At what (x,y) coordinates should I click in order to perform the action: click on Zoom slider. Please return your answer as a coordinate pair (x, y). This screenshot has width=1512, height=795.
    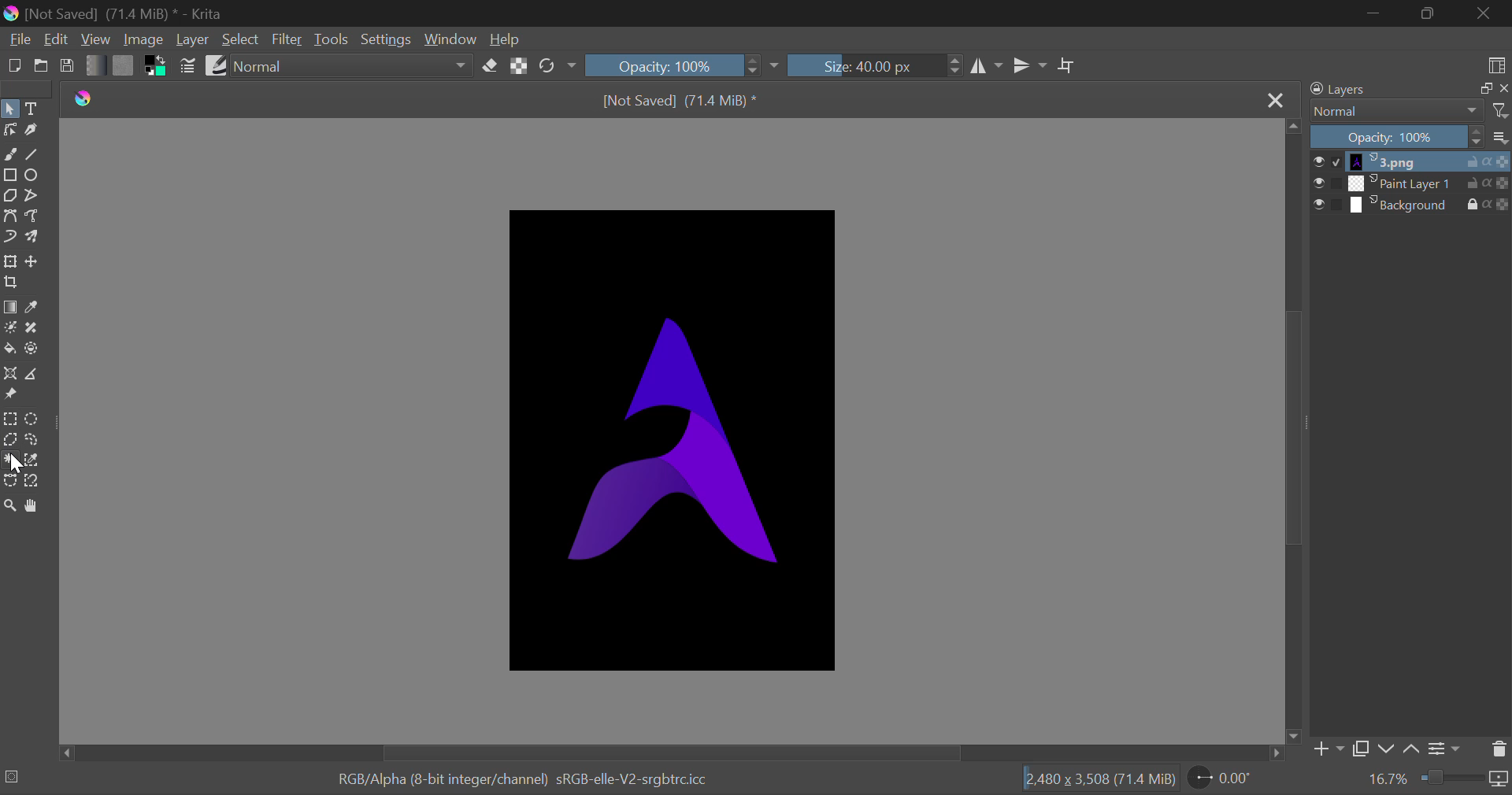
    Looking at the image, I should click on (1451, 777).